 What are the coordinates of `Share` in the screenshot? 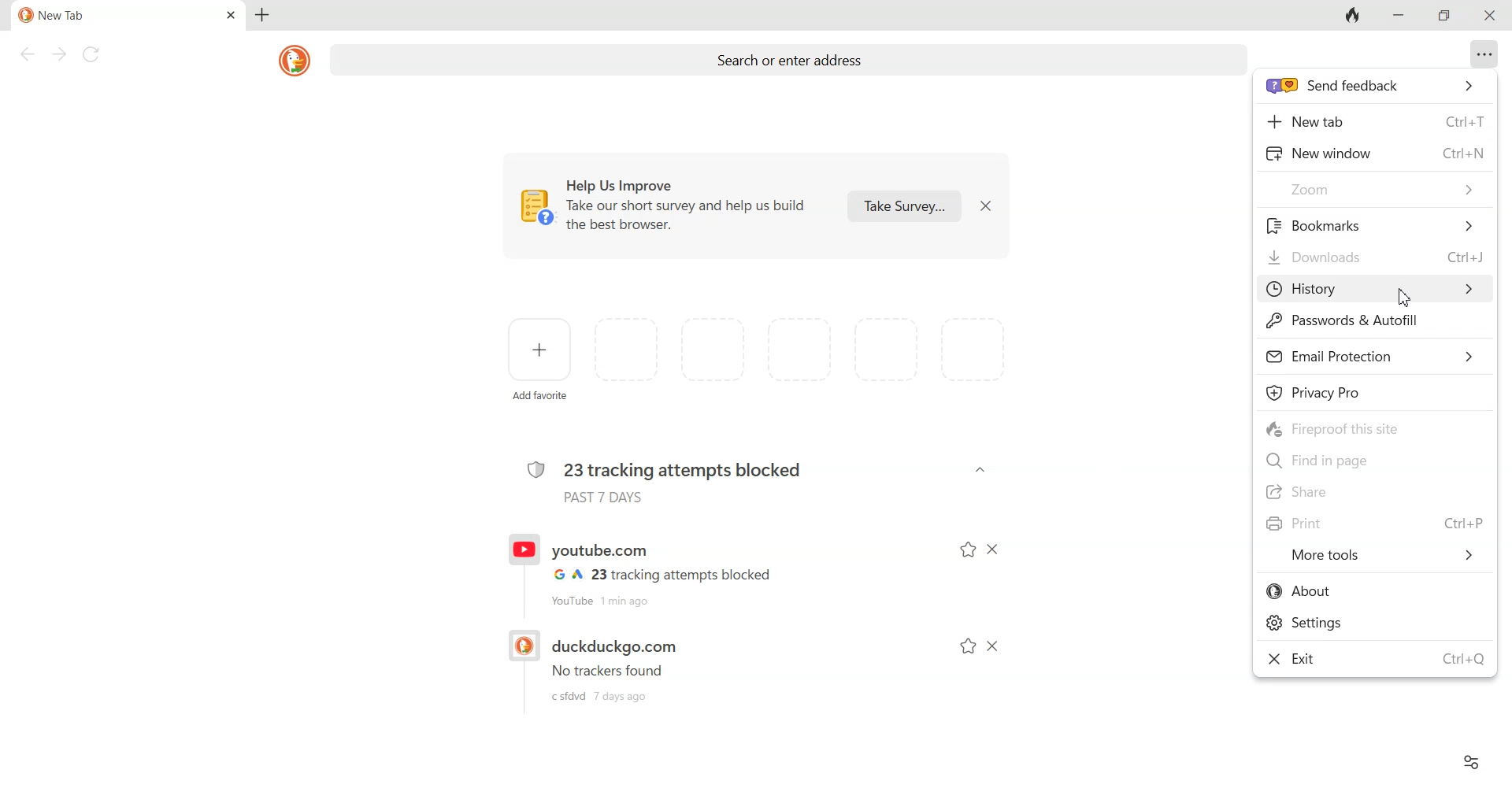 It's located at (1377, 492).